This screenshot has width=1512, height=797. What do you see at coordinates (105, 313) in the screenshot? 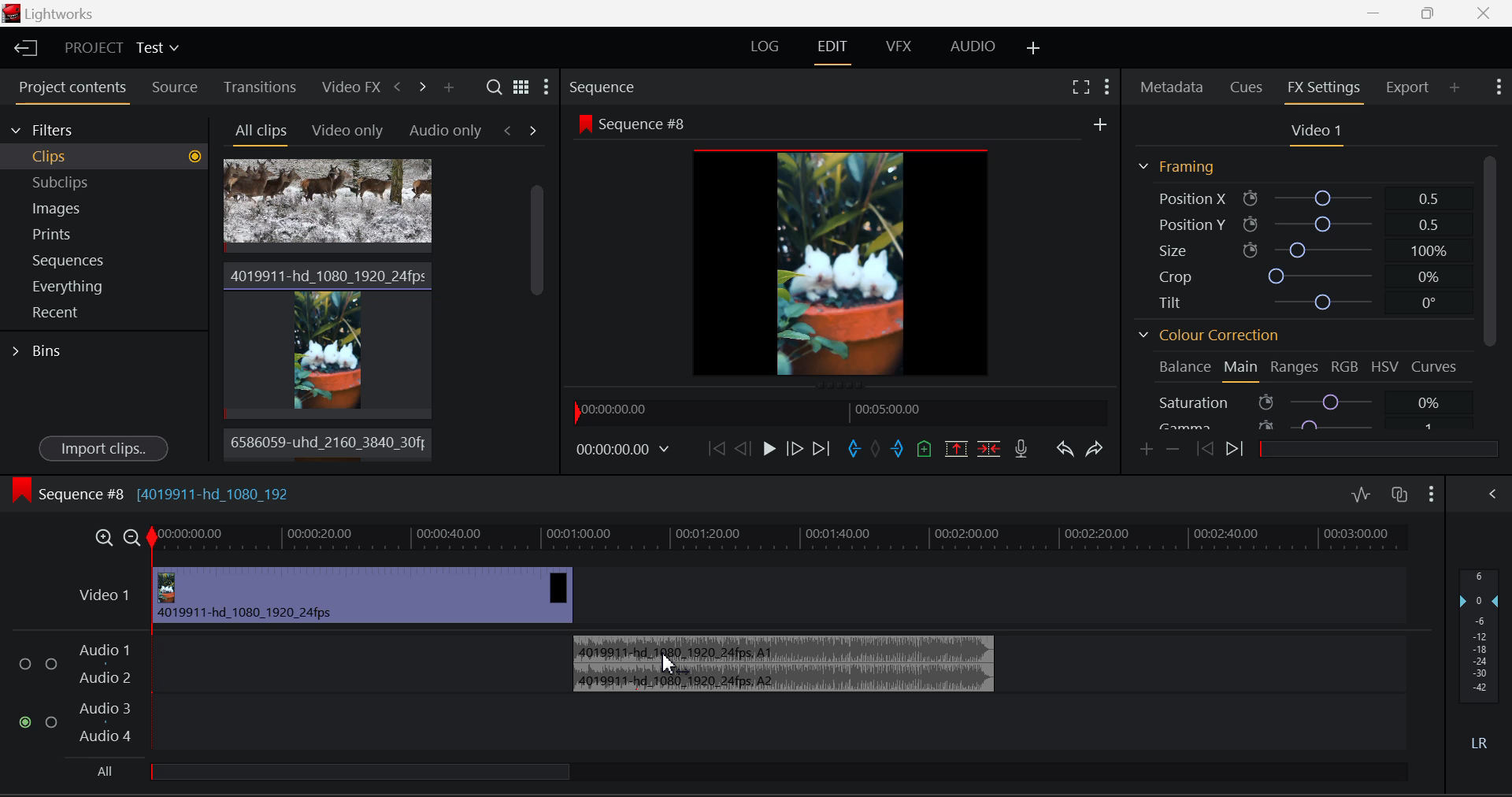
I see `Recent` at bounding box center [105, 313].